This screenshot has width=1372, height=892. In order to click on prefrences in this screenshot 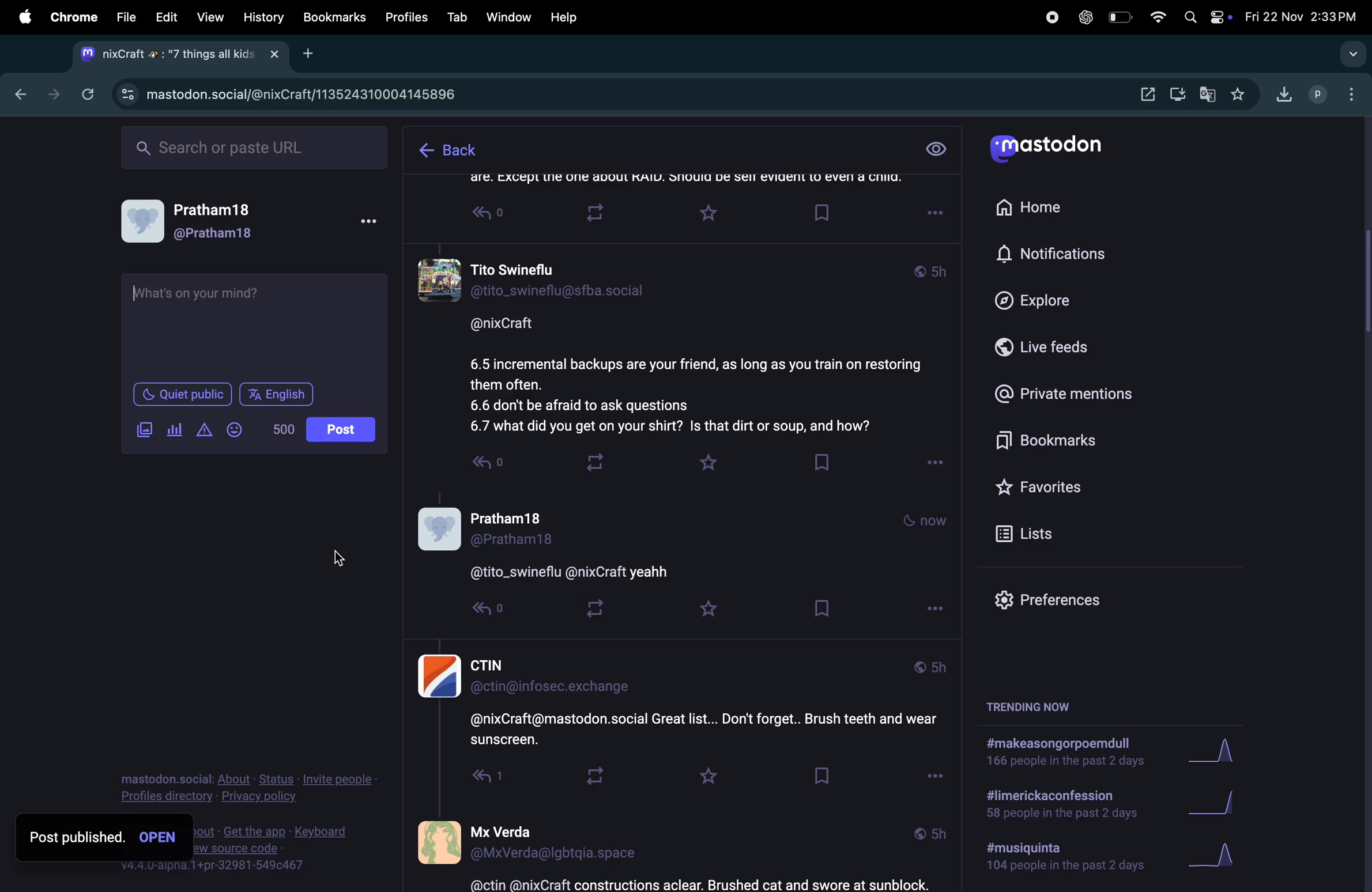, I will do `click(1056, 600)`.